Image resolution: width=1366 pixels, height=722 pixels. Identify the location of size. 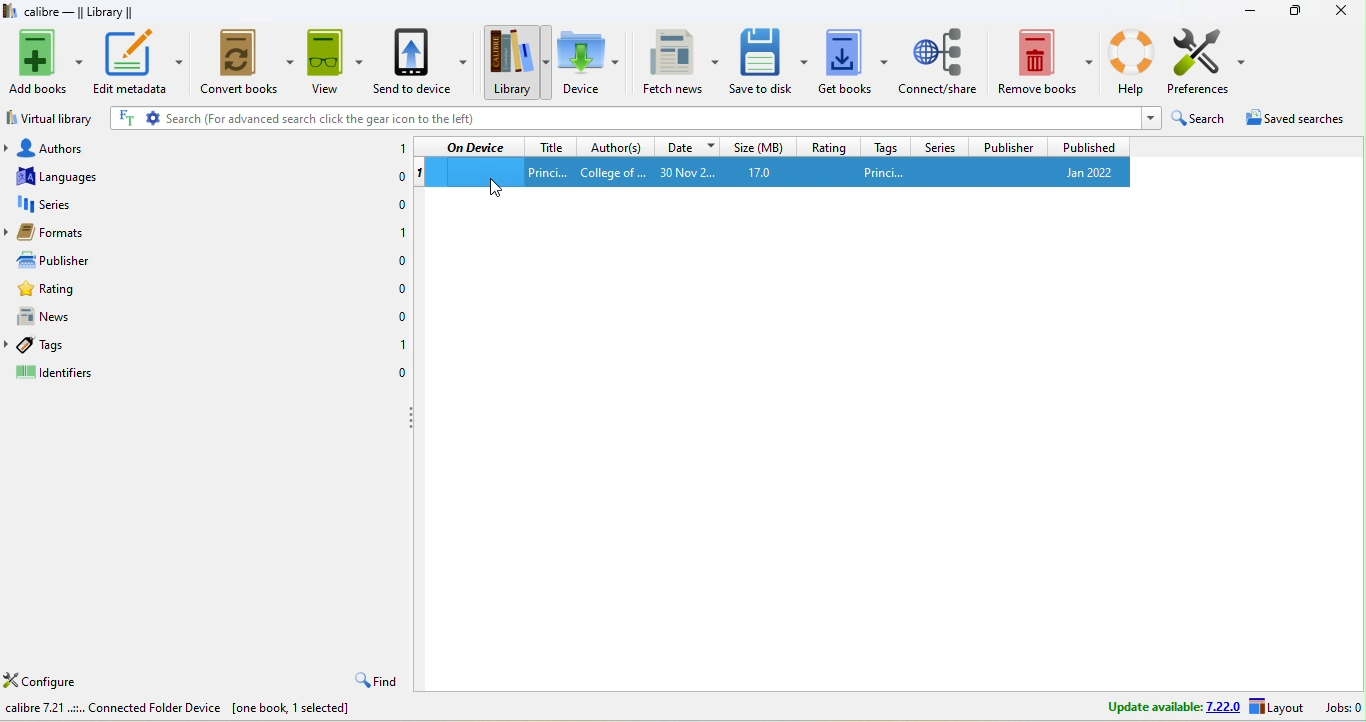
(758, 145).